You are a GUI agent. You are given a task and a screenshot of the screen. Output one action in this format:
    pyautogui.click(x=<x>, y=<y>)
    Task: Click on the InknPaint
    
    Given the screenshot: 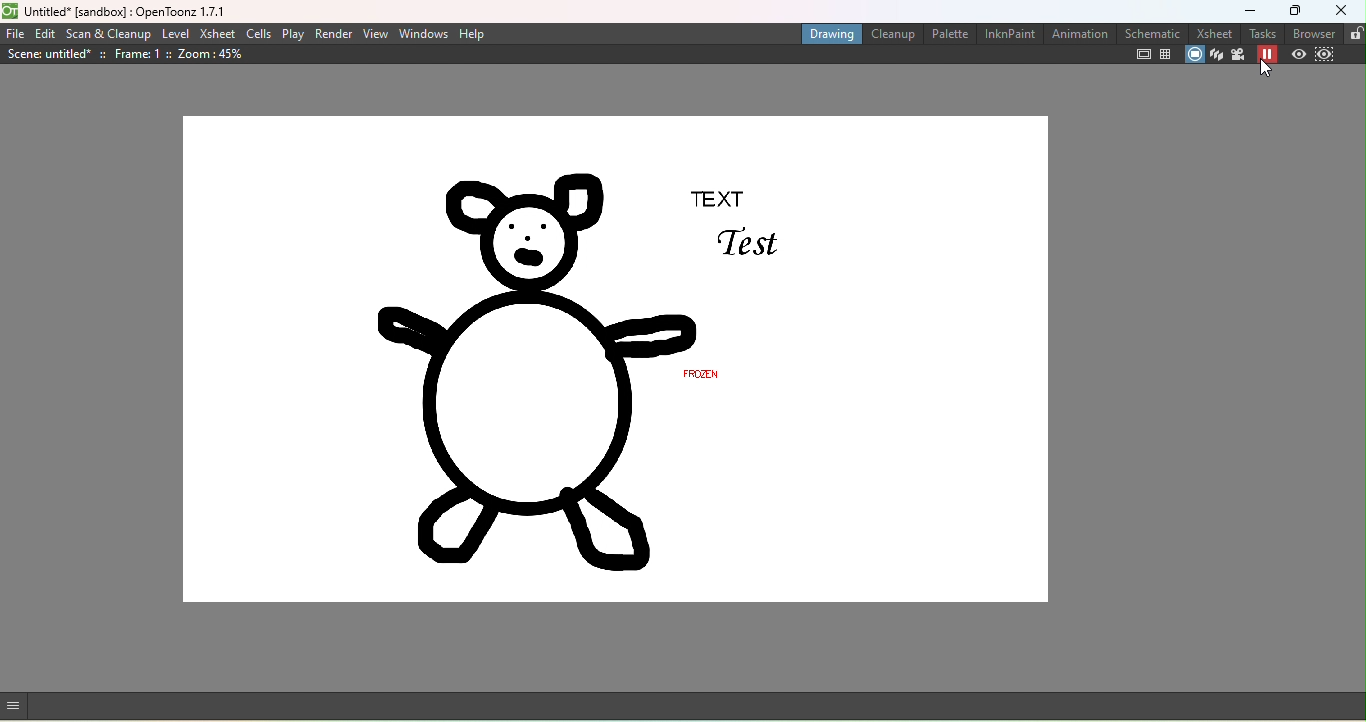 What is the action you would take?
    pyautogui.click(x=1011, y=35)
    